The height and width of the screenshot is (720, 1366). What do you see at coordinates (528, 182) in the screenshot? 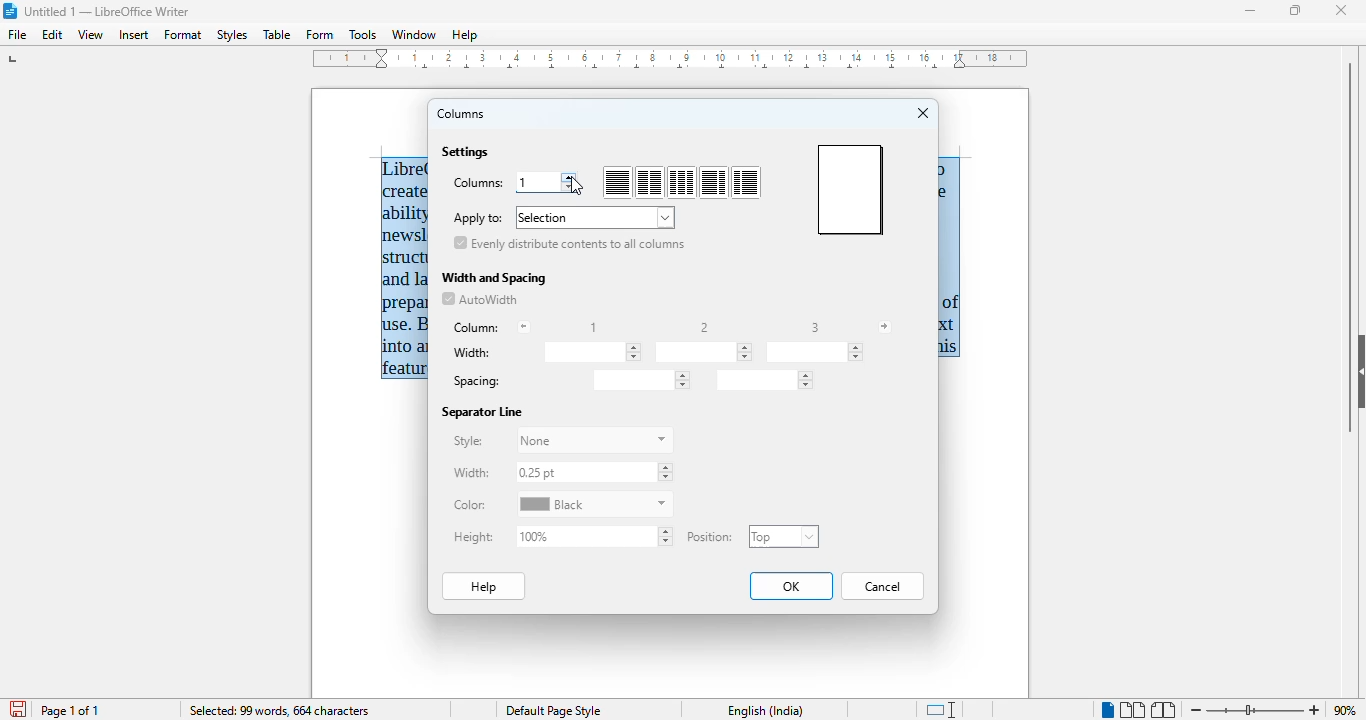
I see `1` at bounding box center [528, 182].